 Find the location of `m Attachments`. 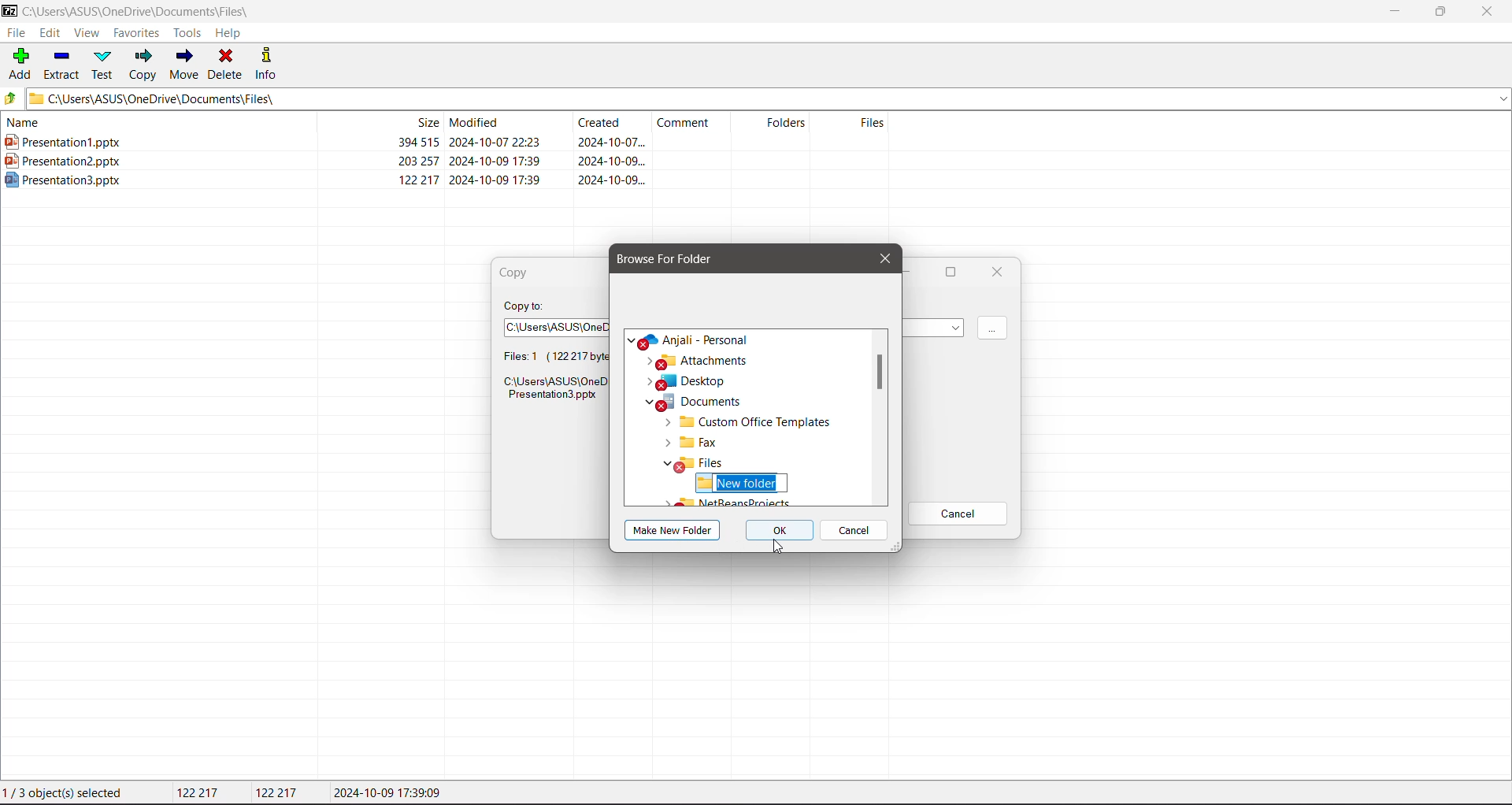

m Attachments is located at coordinates (701, 381).